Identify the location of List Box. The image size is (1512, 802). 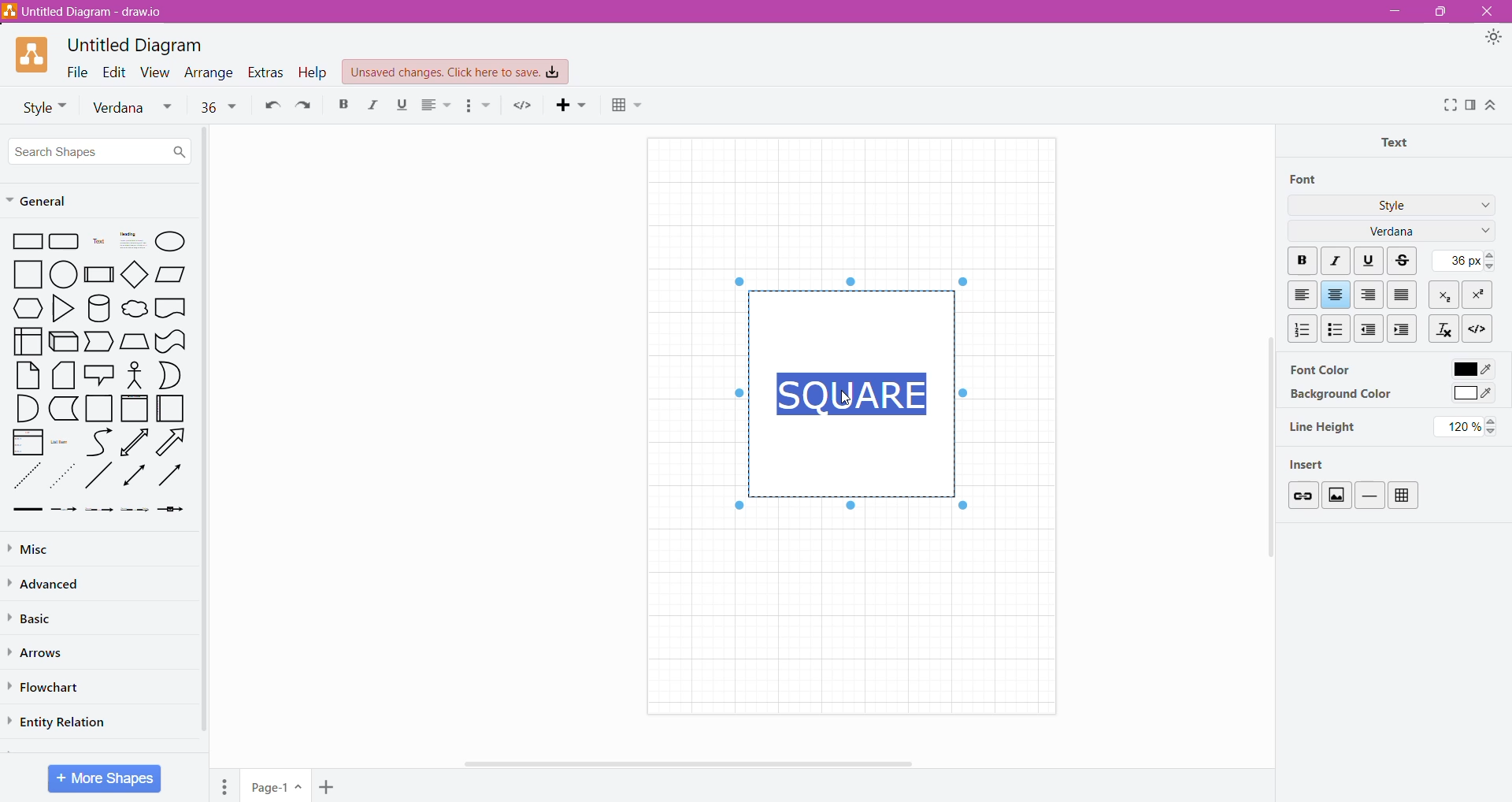
(26, 442).